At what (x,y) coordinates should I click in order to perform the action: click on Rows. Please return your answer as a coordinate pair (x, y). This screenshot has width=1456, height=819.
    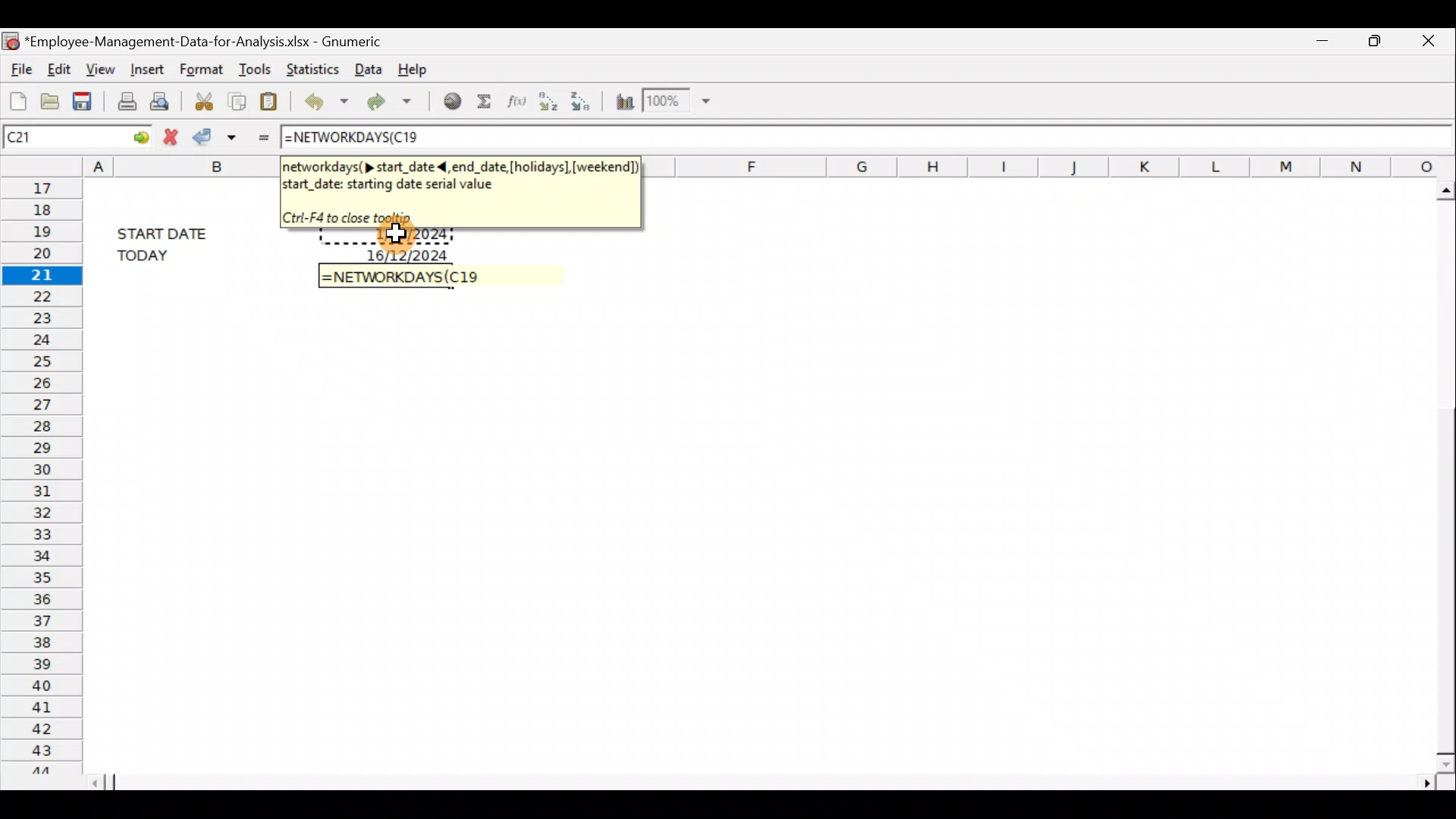
    Looking at the image, I should click on (39, 474).